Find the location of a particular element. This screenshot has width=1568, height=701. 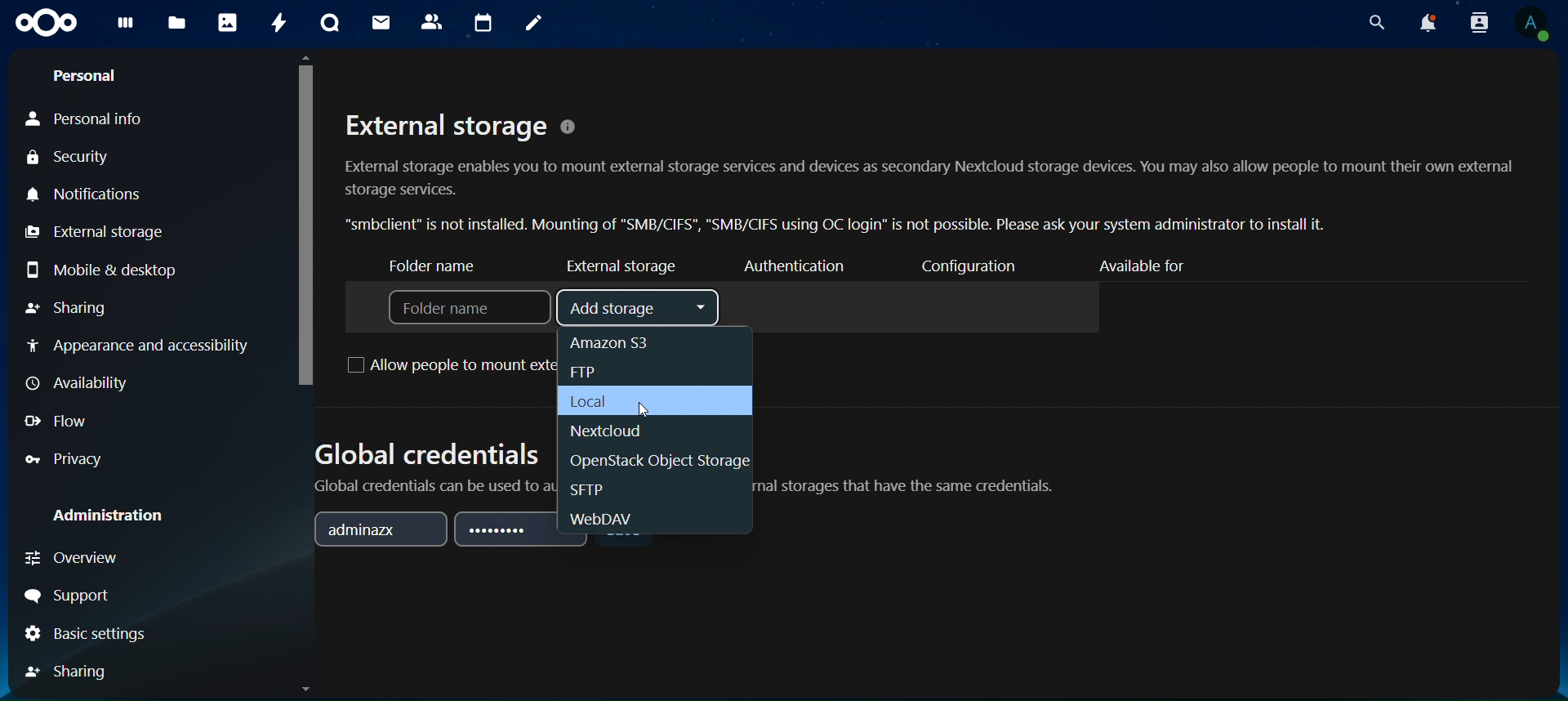

files is located at coordinates (176, 25).